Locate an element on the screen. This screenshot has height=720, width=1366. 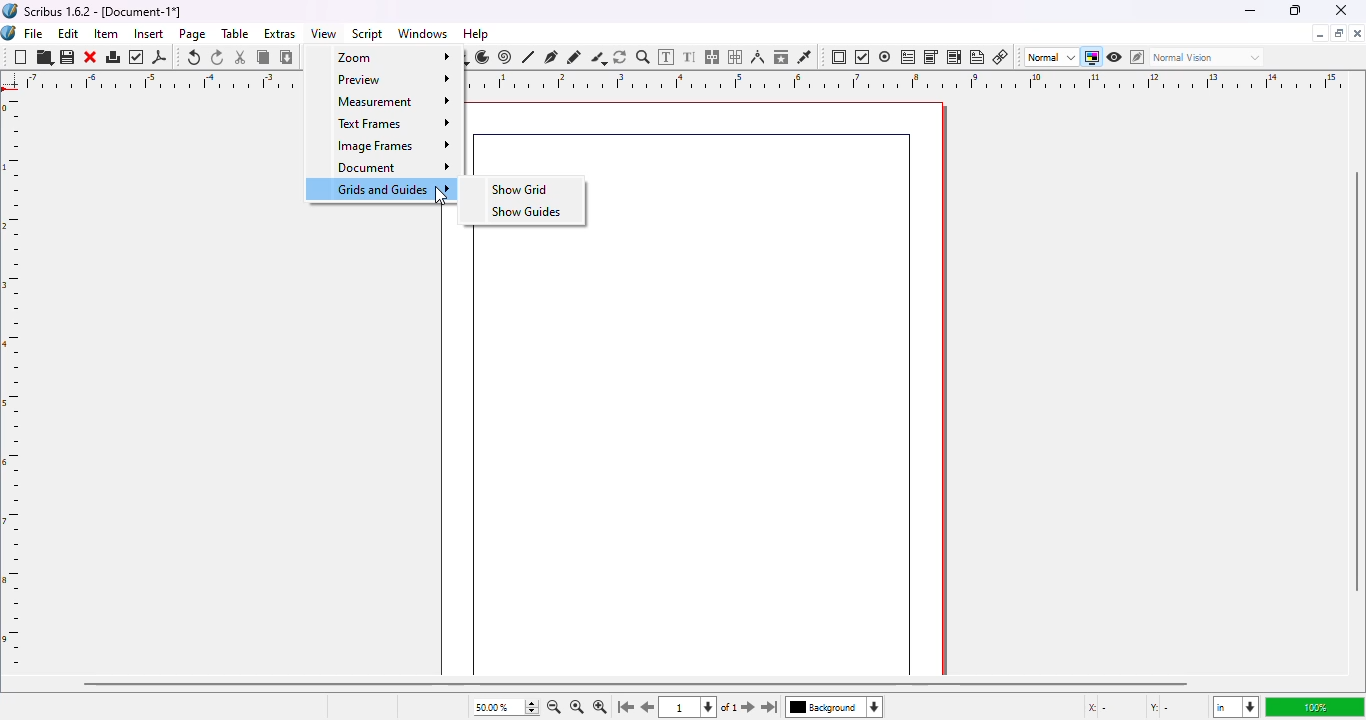
ruler is located at coordinates (914, 81).